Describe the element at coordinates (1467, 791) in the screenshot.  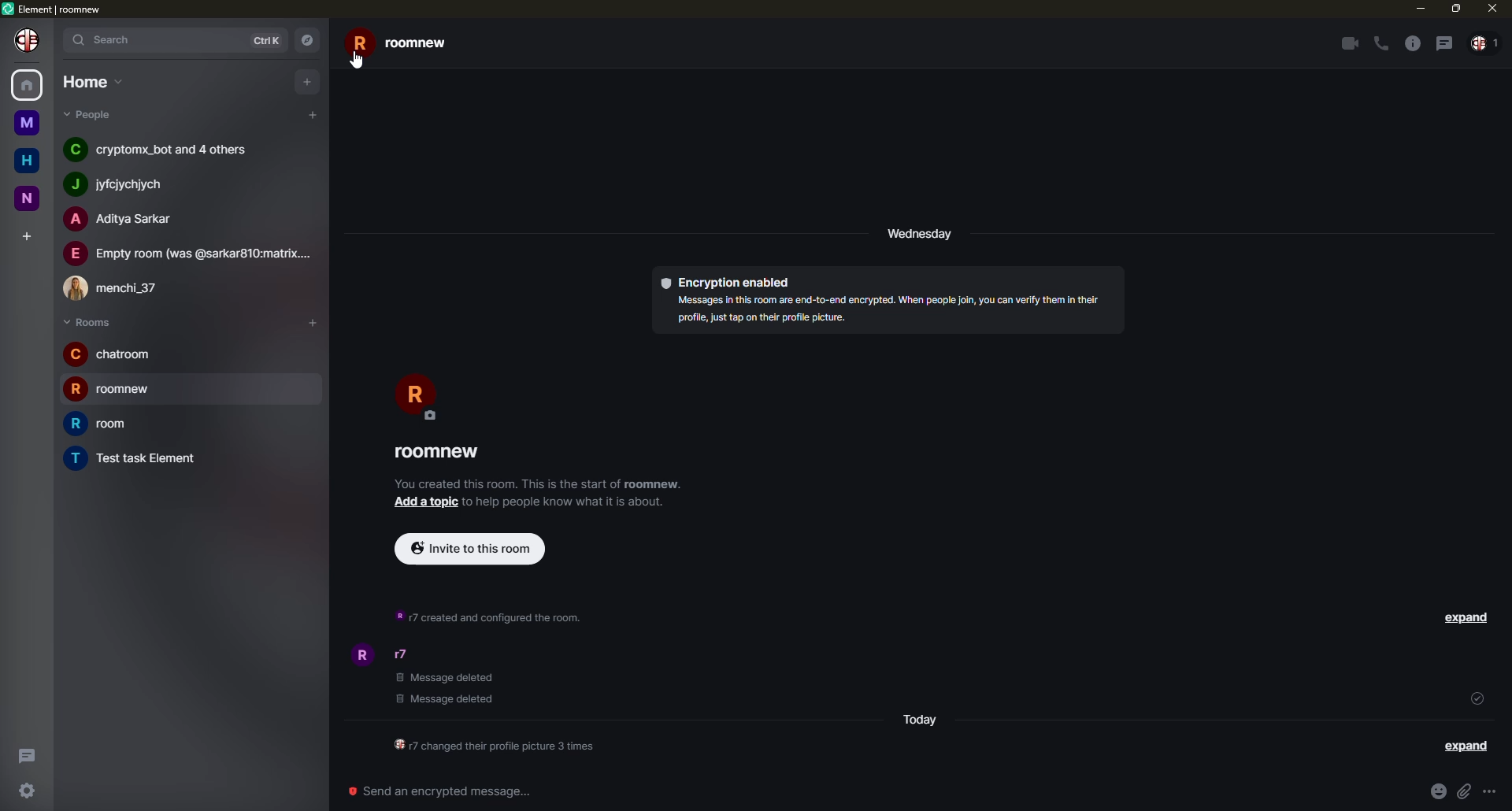
I see `attach` at that location.